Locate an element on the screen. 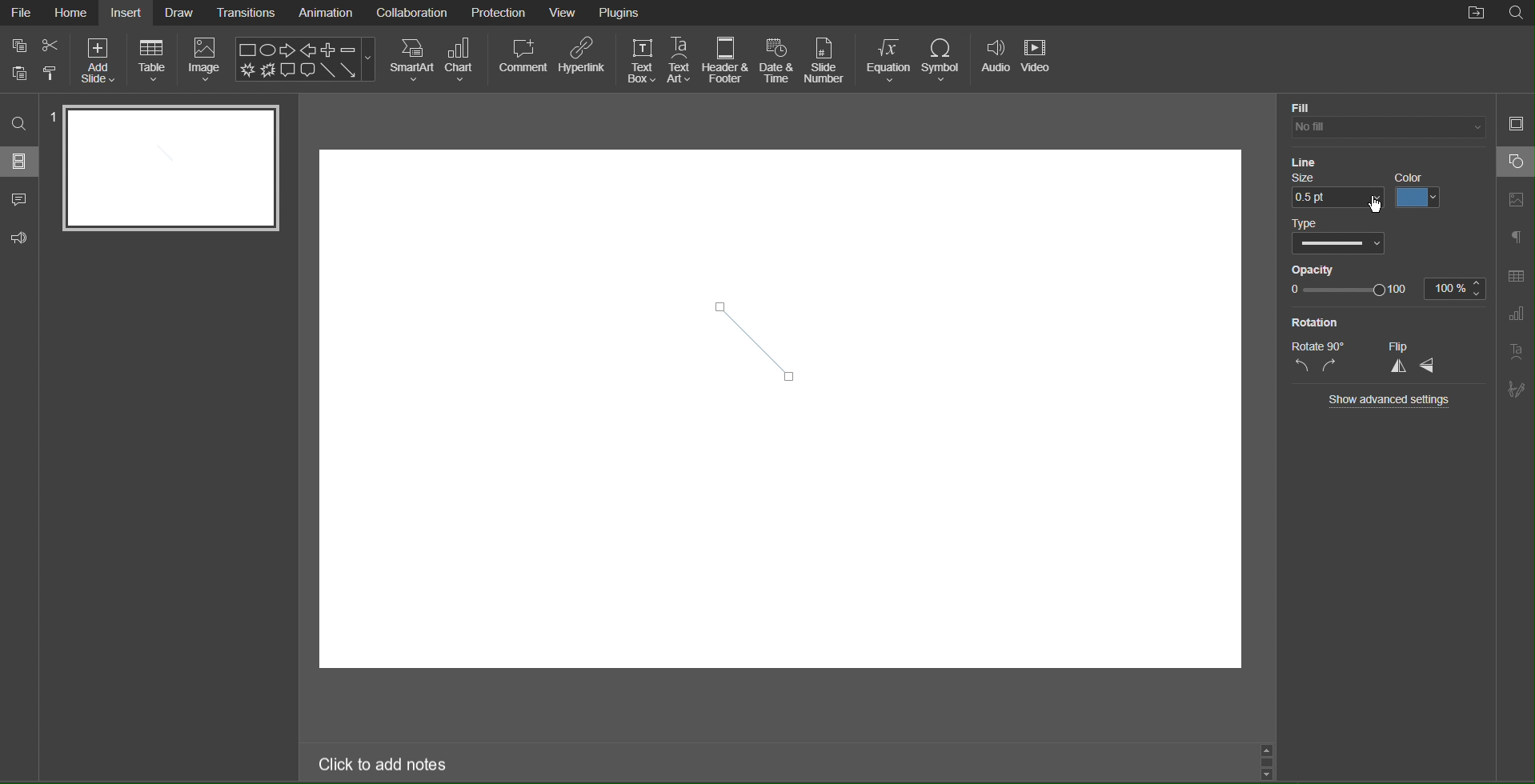 The width and height of the screenshot is (1535, 784). Rotation is located at coordinates (1320, 322).